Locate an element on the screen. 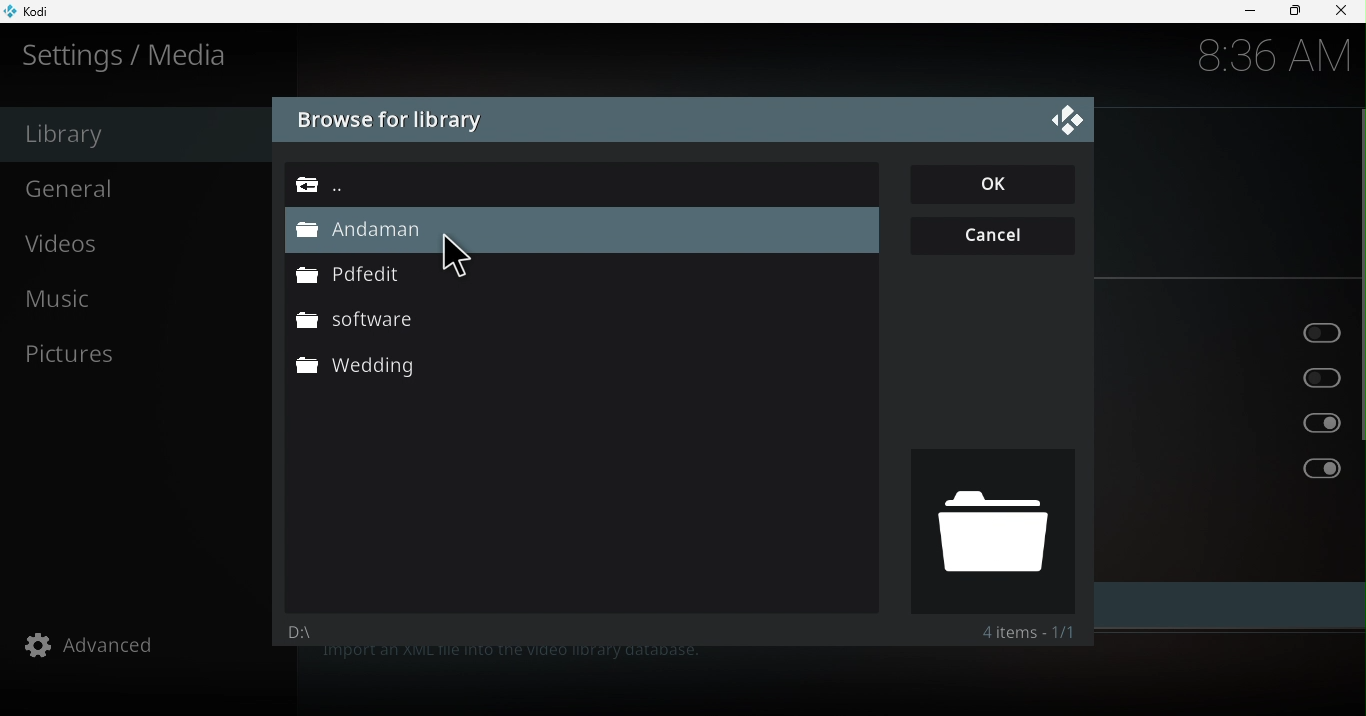 This screenshot has height=716, width=1366. OK is located at coordinates (996, 185).